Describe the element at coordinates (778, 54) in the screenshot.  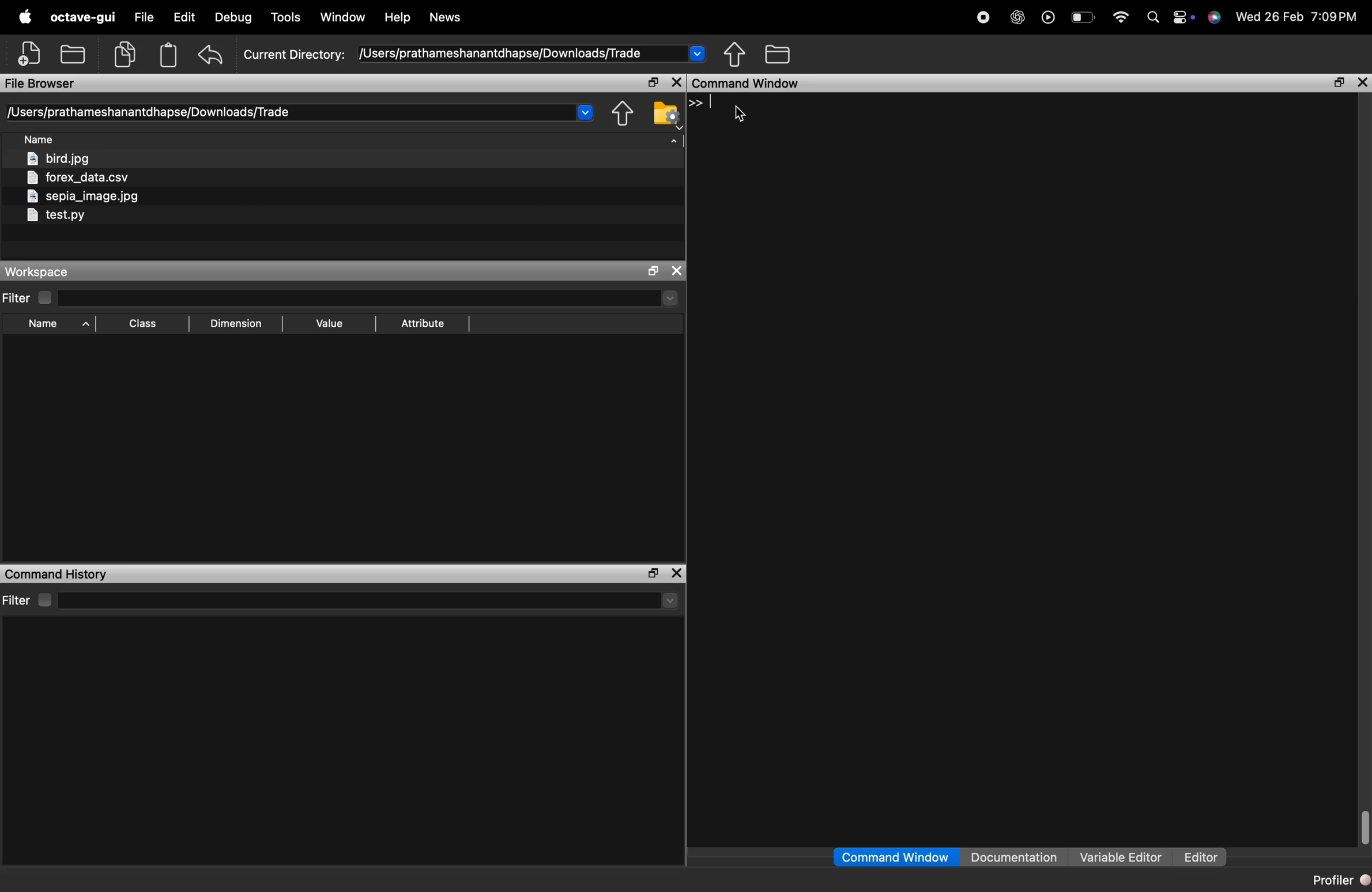
I see `browse directories` at that location.